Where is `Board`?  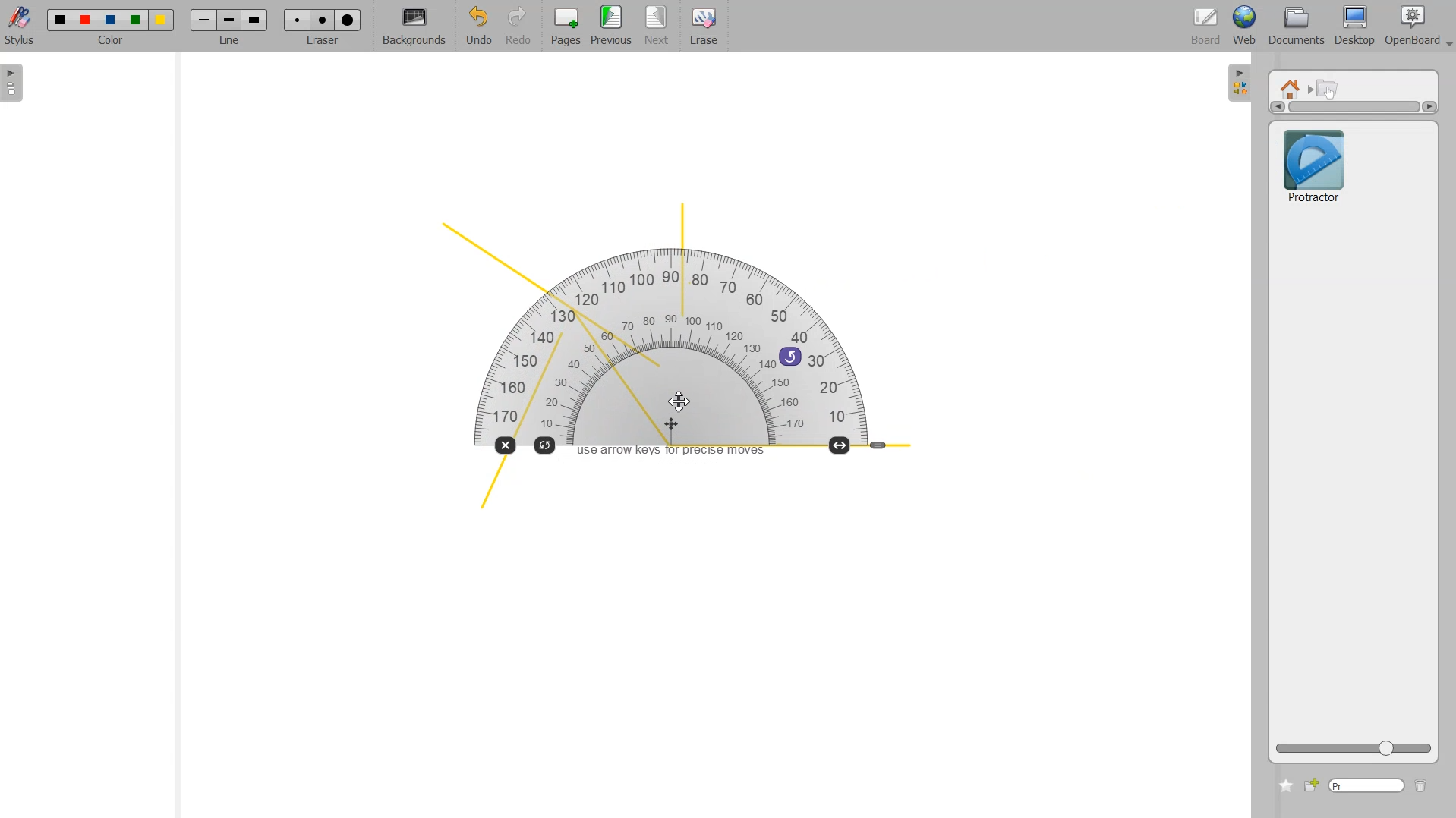
Board is located at coordinates (1206, 27).